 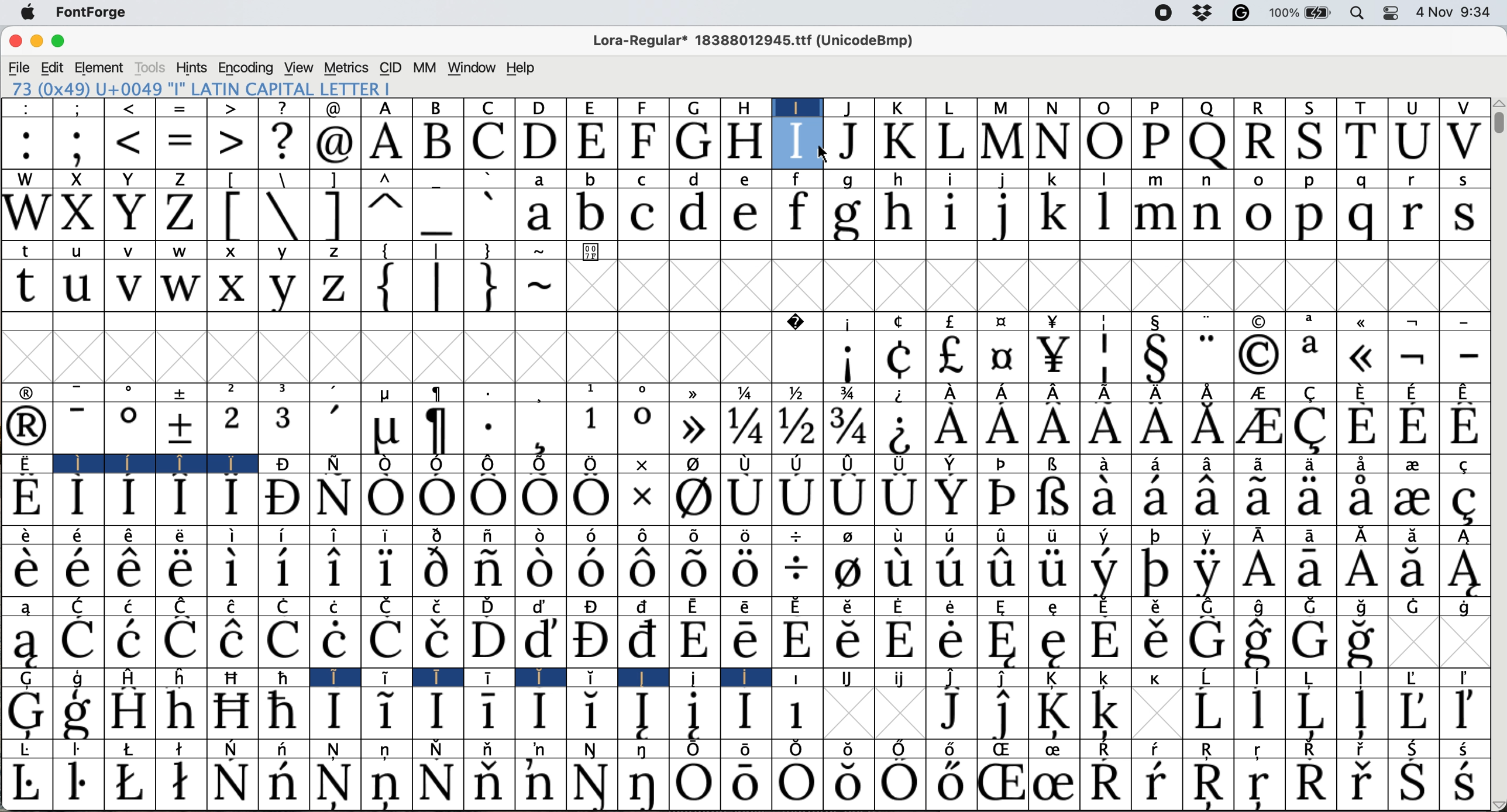 I want to click on symbol, so click(x=1004, y=391).